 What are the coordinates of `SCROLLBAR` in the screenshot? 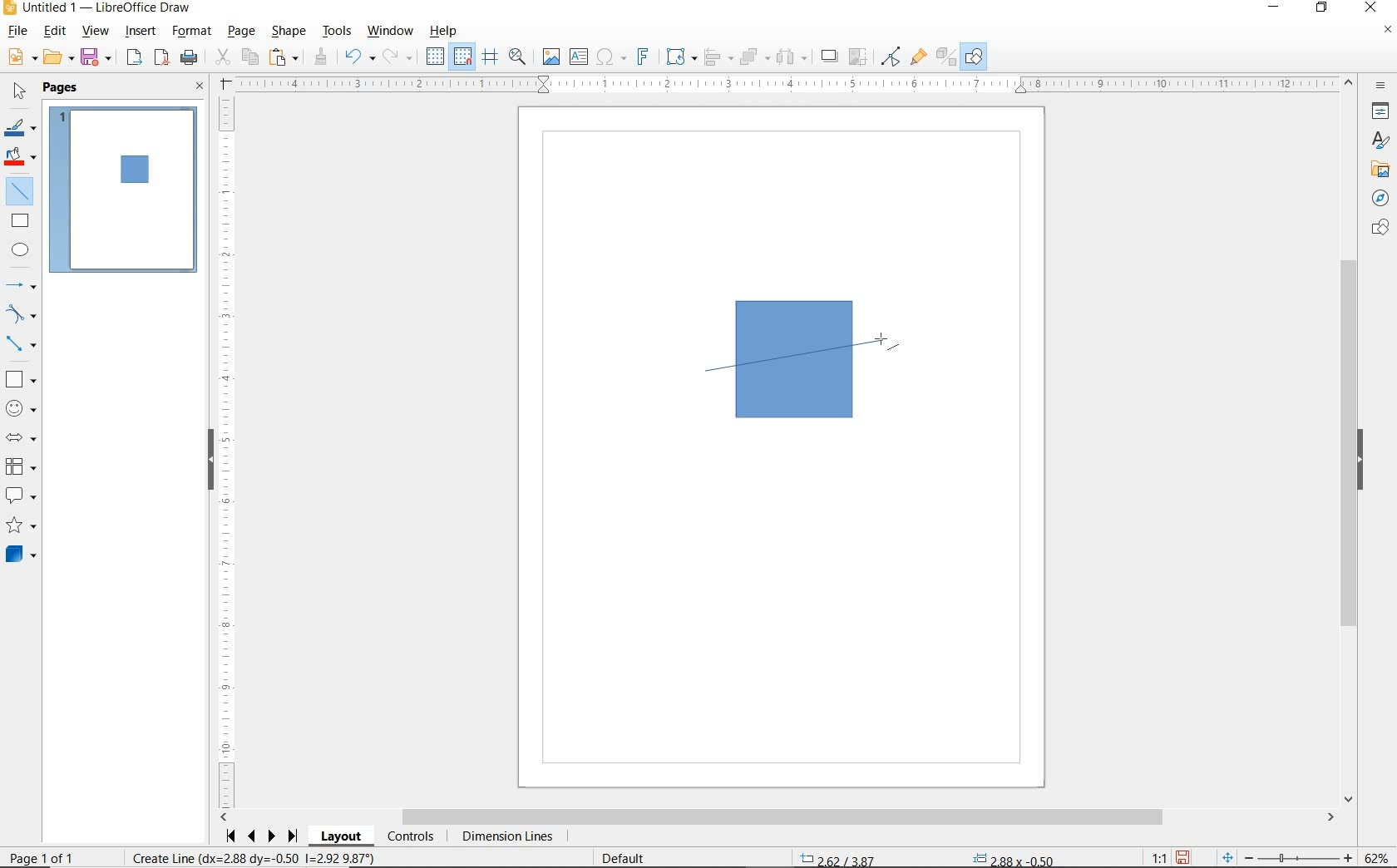 It's located at (777, 817).